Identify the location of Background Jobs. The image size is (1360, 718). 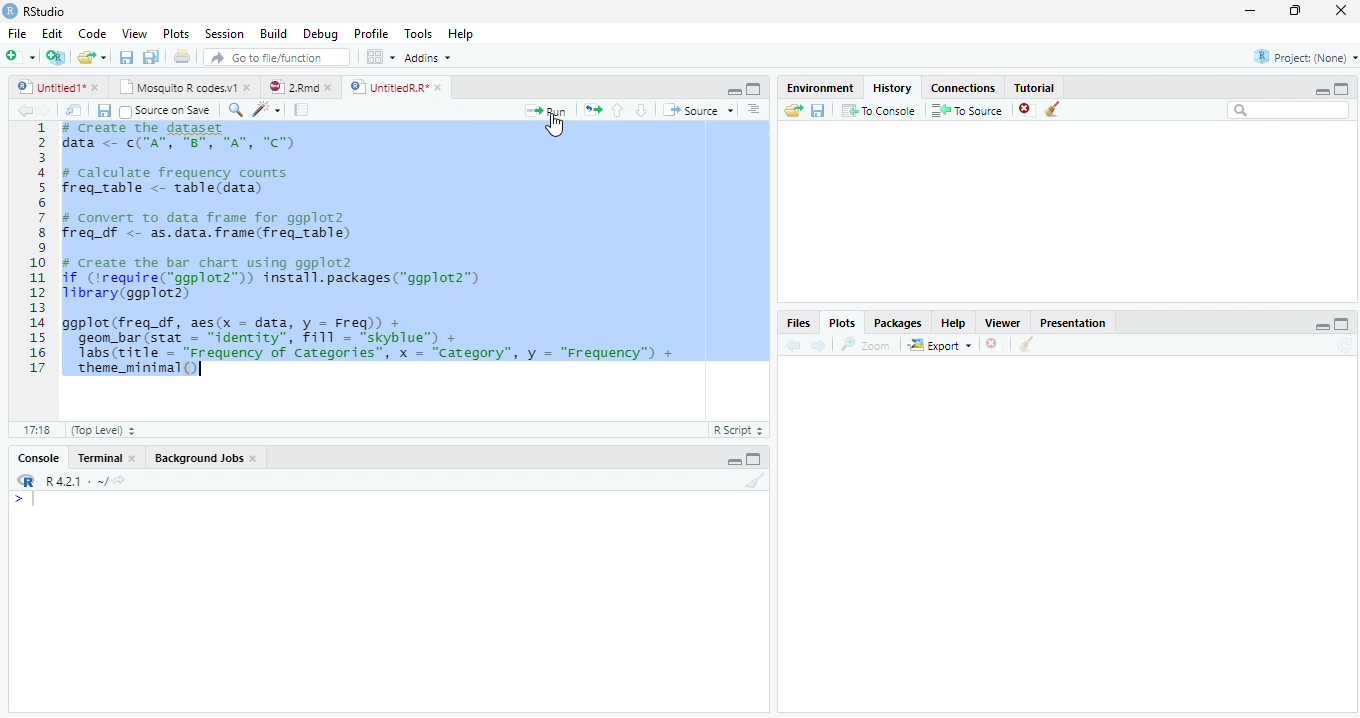
(207, 457).